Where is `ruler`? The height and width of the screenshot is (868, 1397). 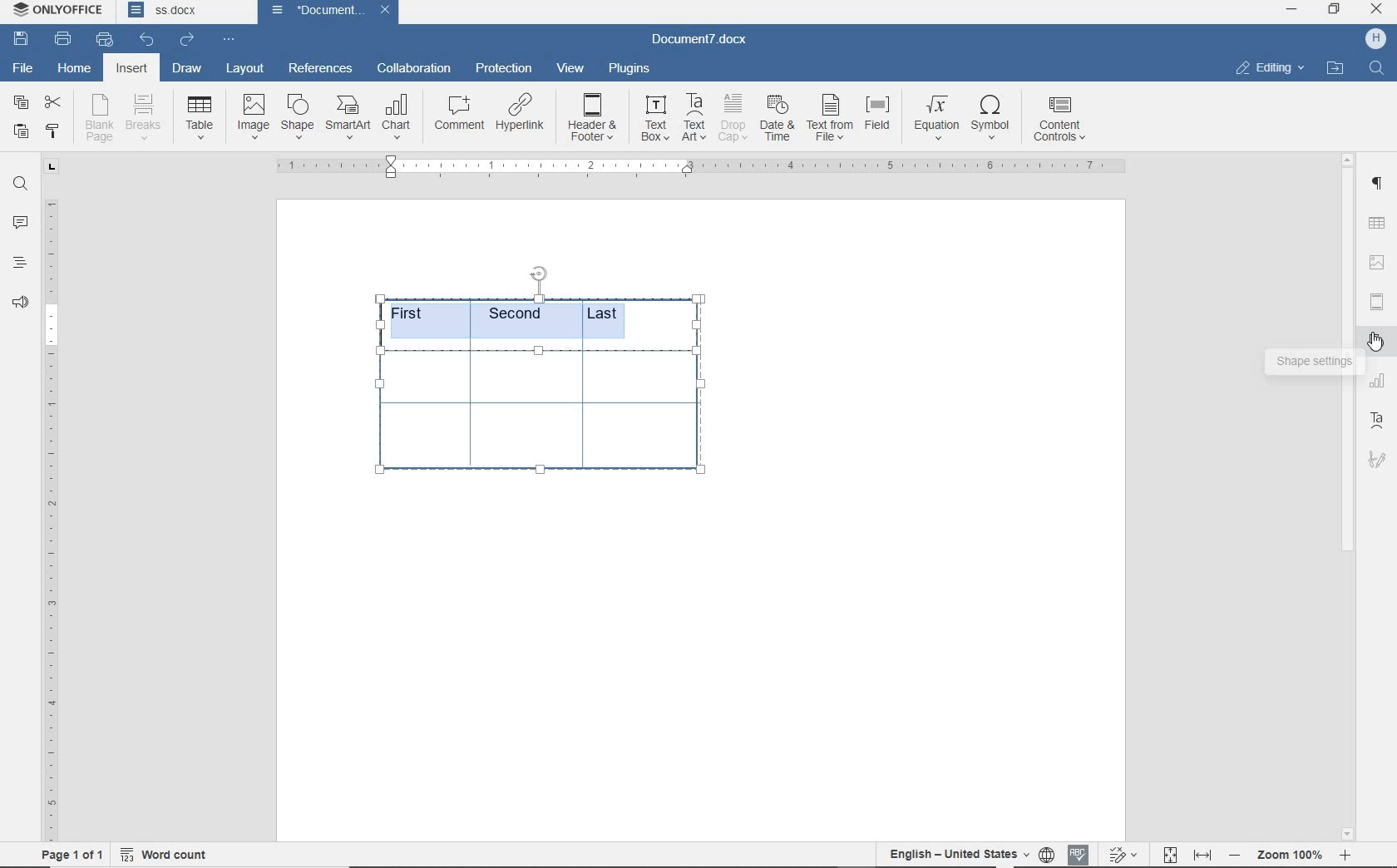
ruler is located at coordinates (51, 520).